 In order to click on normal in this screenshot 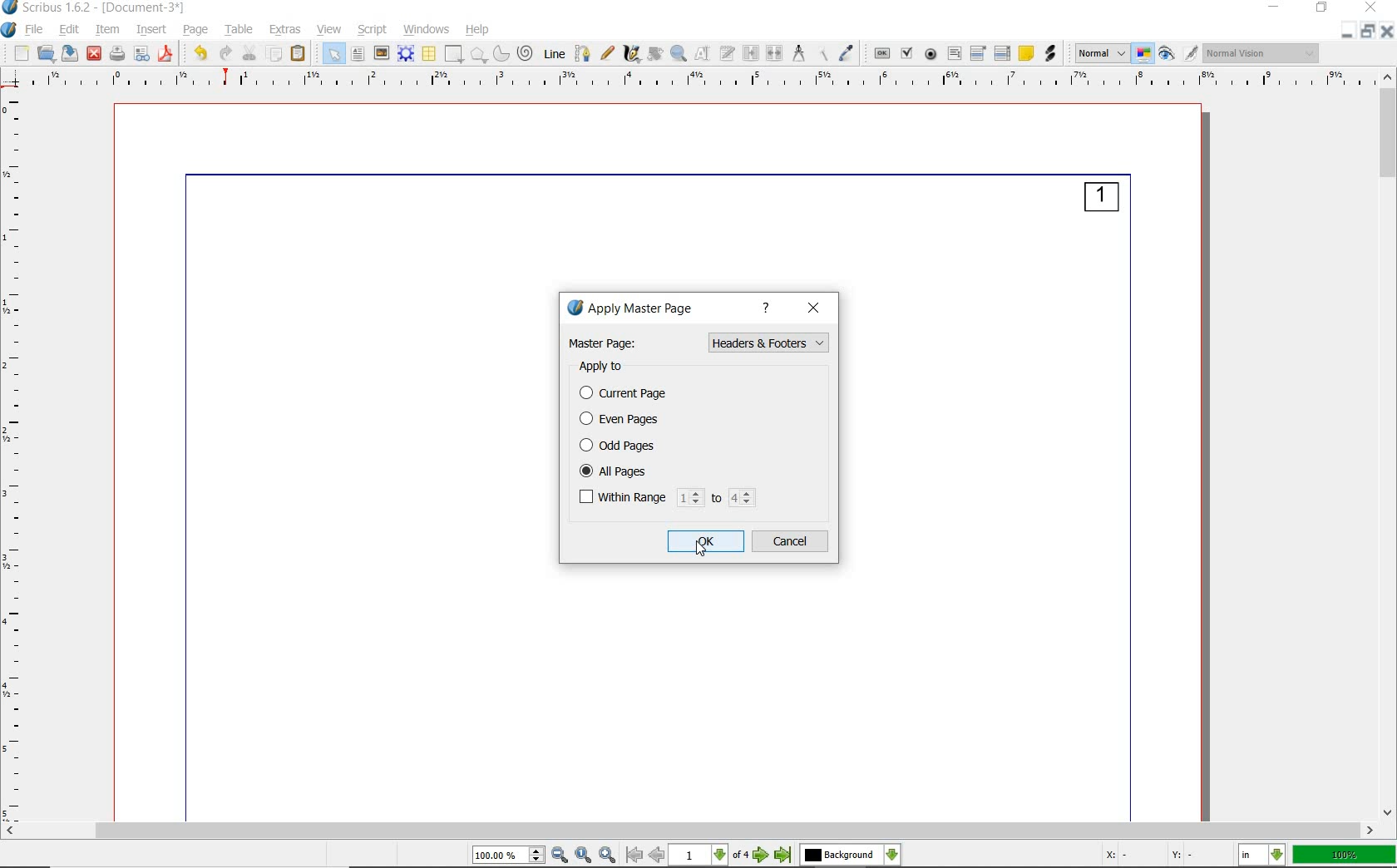, I will do `click(771, 375)`.